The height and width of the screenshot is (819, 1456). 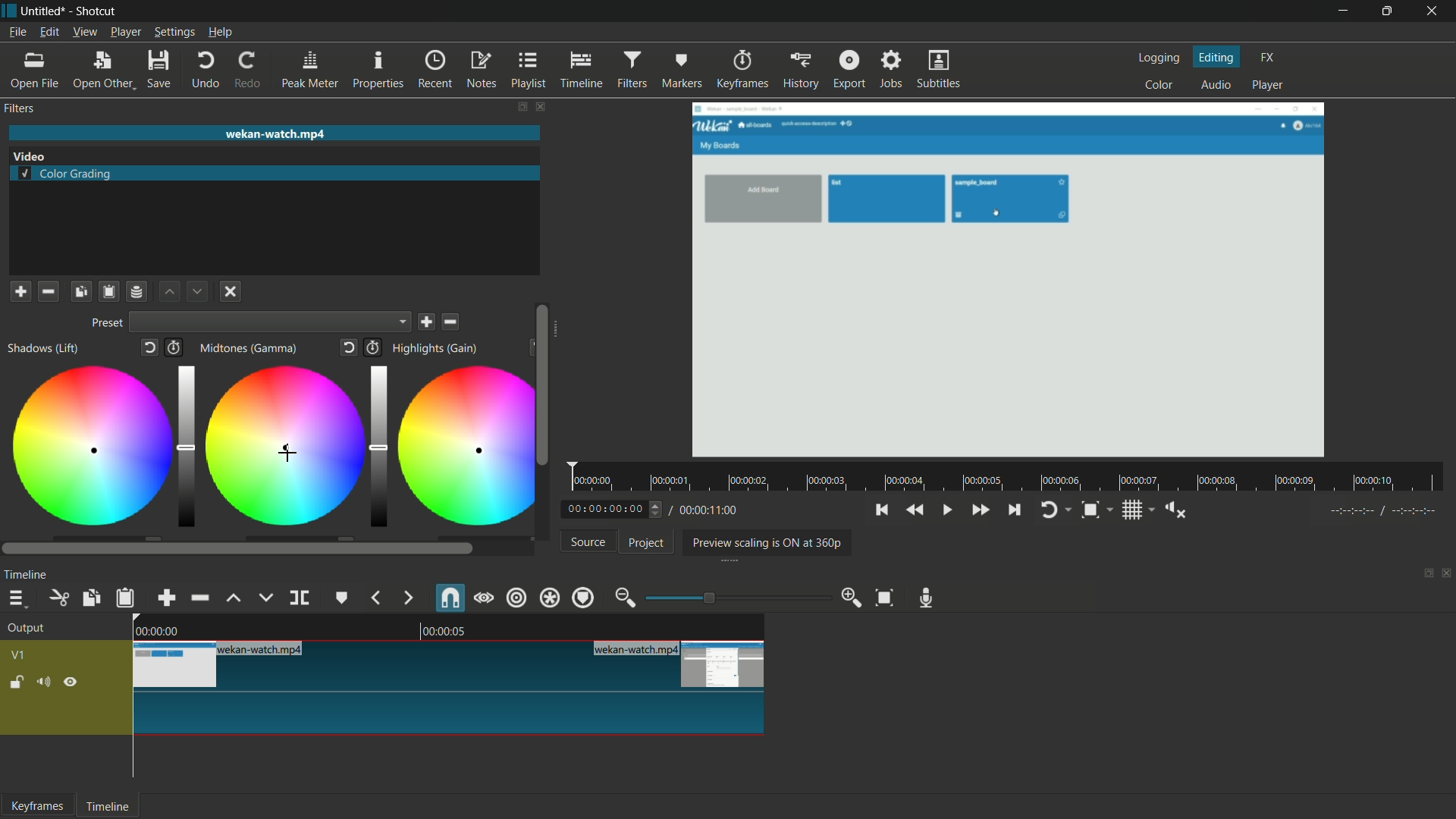 What do you see at coordinates (616, 508) in the screenshot?
I see `current time` at bounding box center [616, 508].